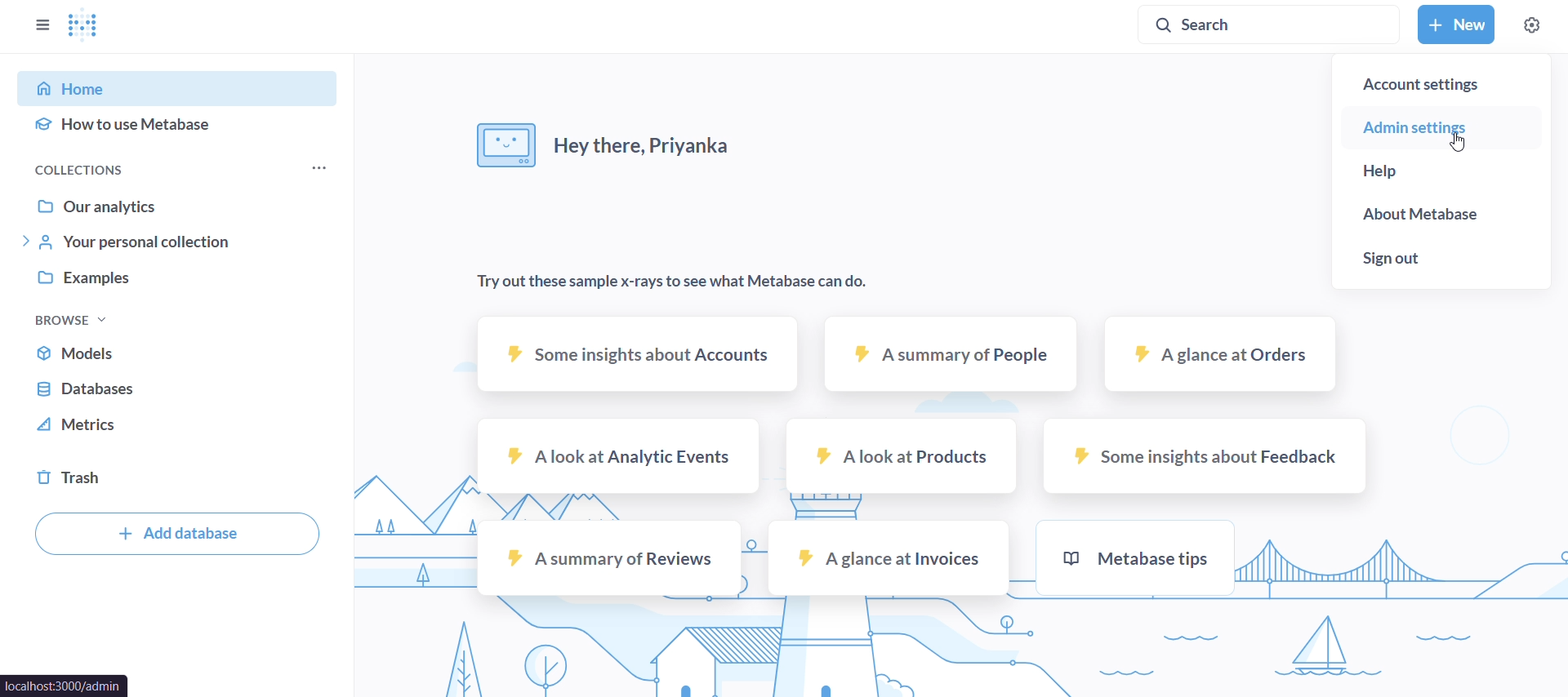  What do you see at coordinates (1441, 218) in the screenshot?
I see `about metabase` at bounding box center [1441, 218].